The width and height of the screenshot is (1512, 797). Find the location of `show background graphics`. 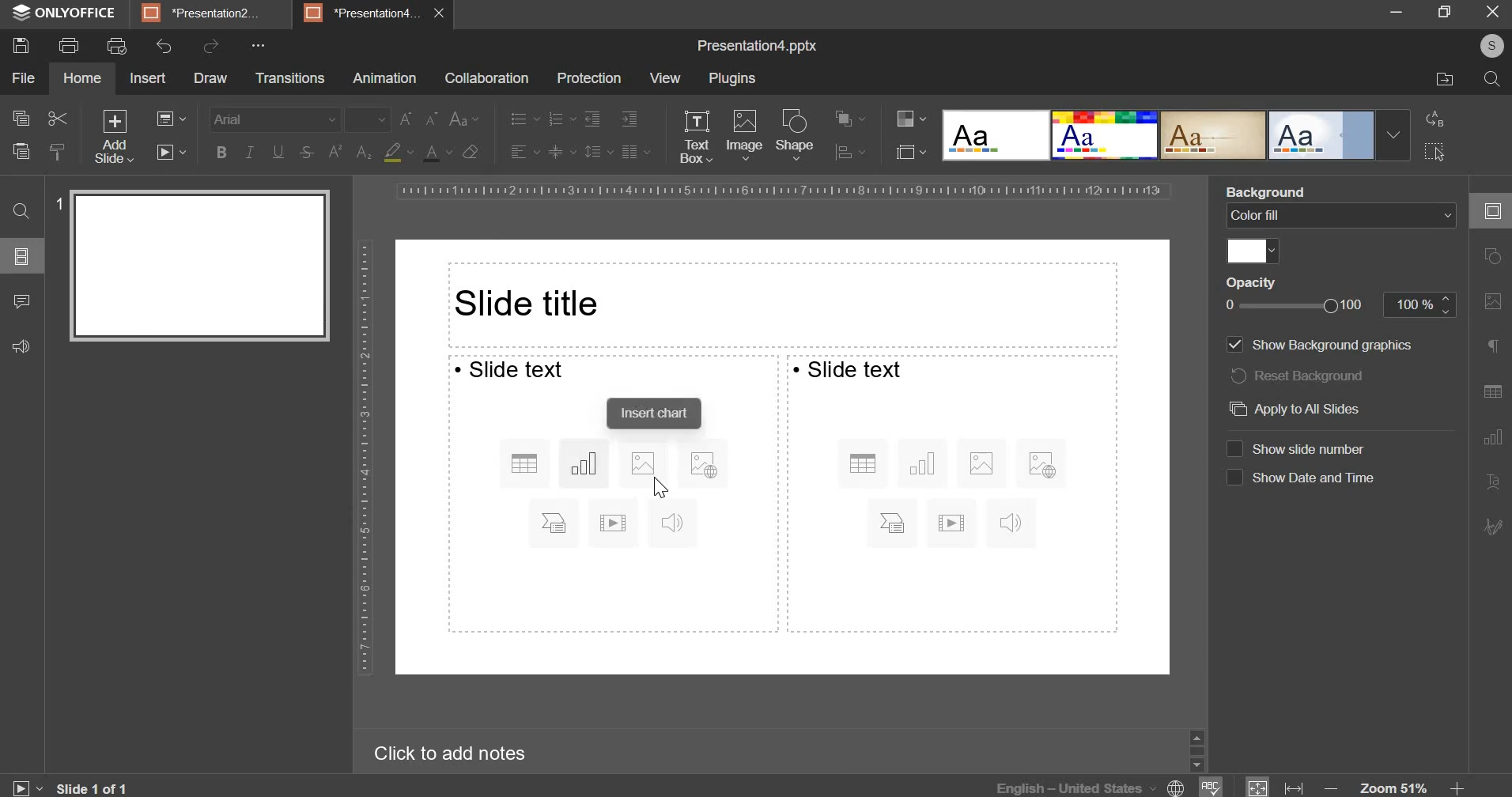

show background graphics is located at coordinates (1333, 344).